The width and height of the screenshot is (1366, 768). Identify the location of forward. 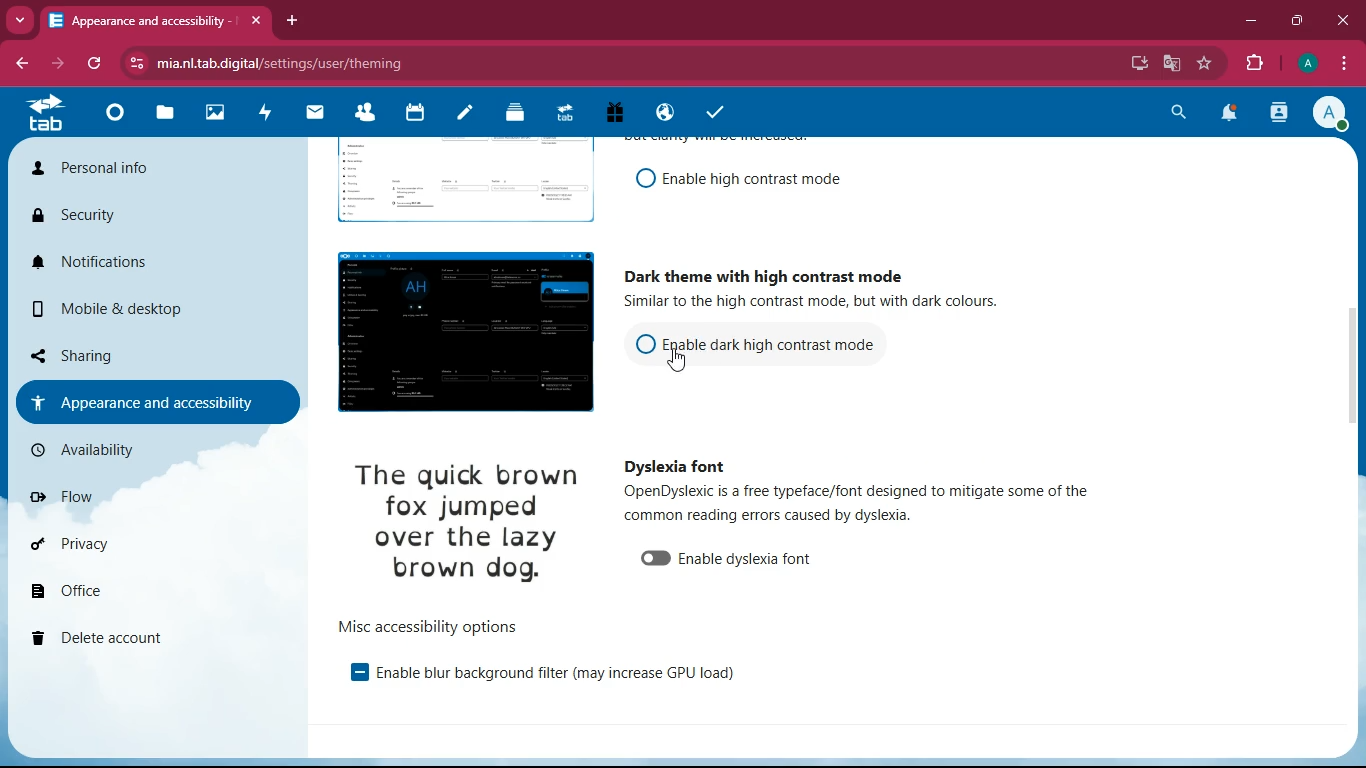
(54, 65).